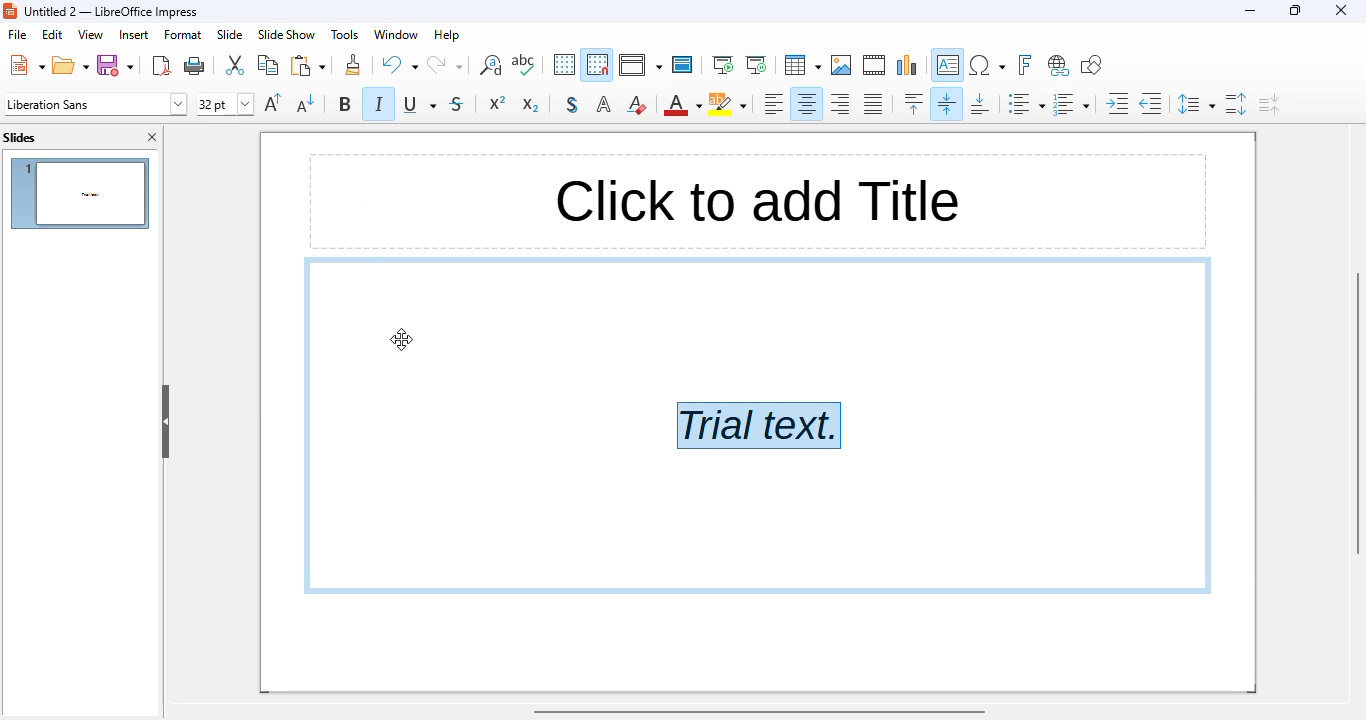 This screenshot has height=720, width=1366. What do you see at coordinates (10, 11) in the screenshot?
I see `logo` at bounding box center [10, 11].